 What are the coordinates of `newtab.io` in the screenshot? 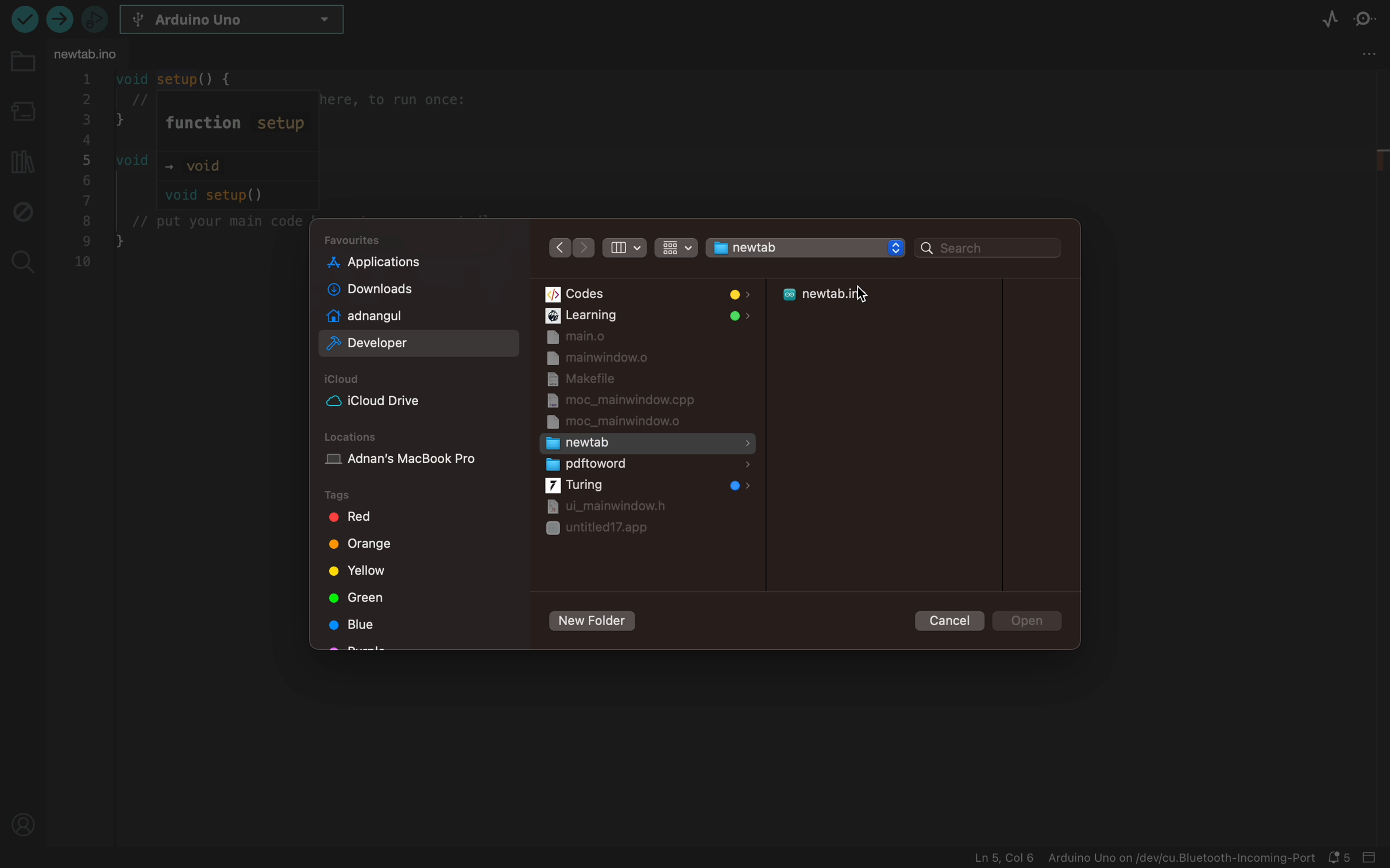 It's located at (88, 54).